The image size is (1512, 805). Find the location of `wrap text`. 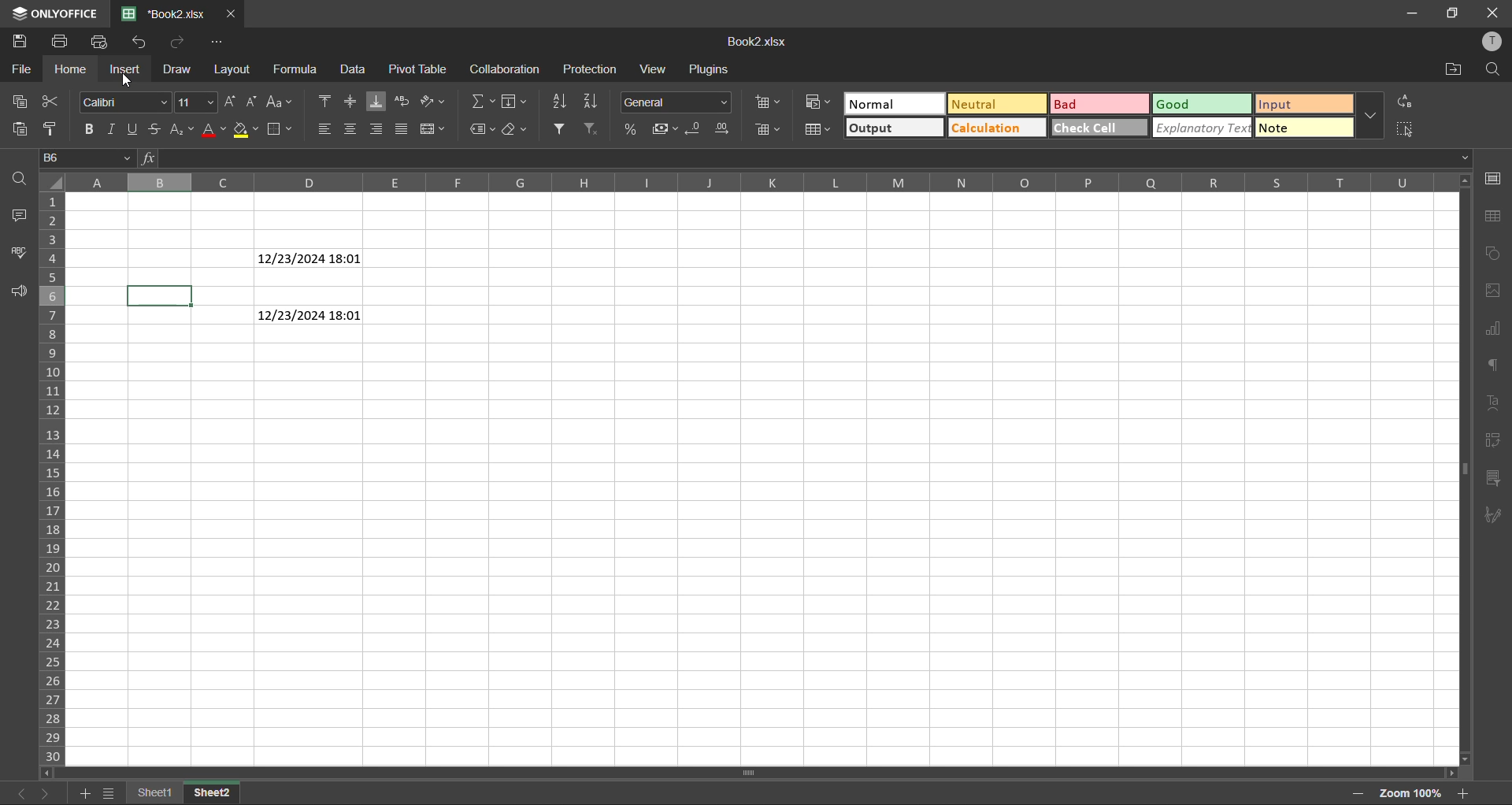

wrap text is located at coordinates (405, 102).